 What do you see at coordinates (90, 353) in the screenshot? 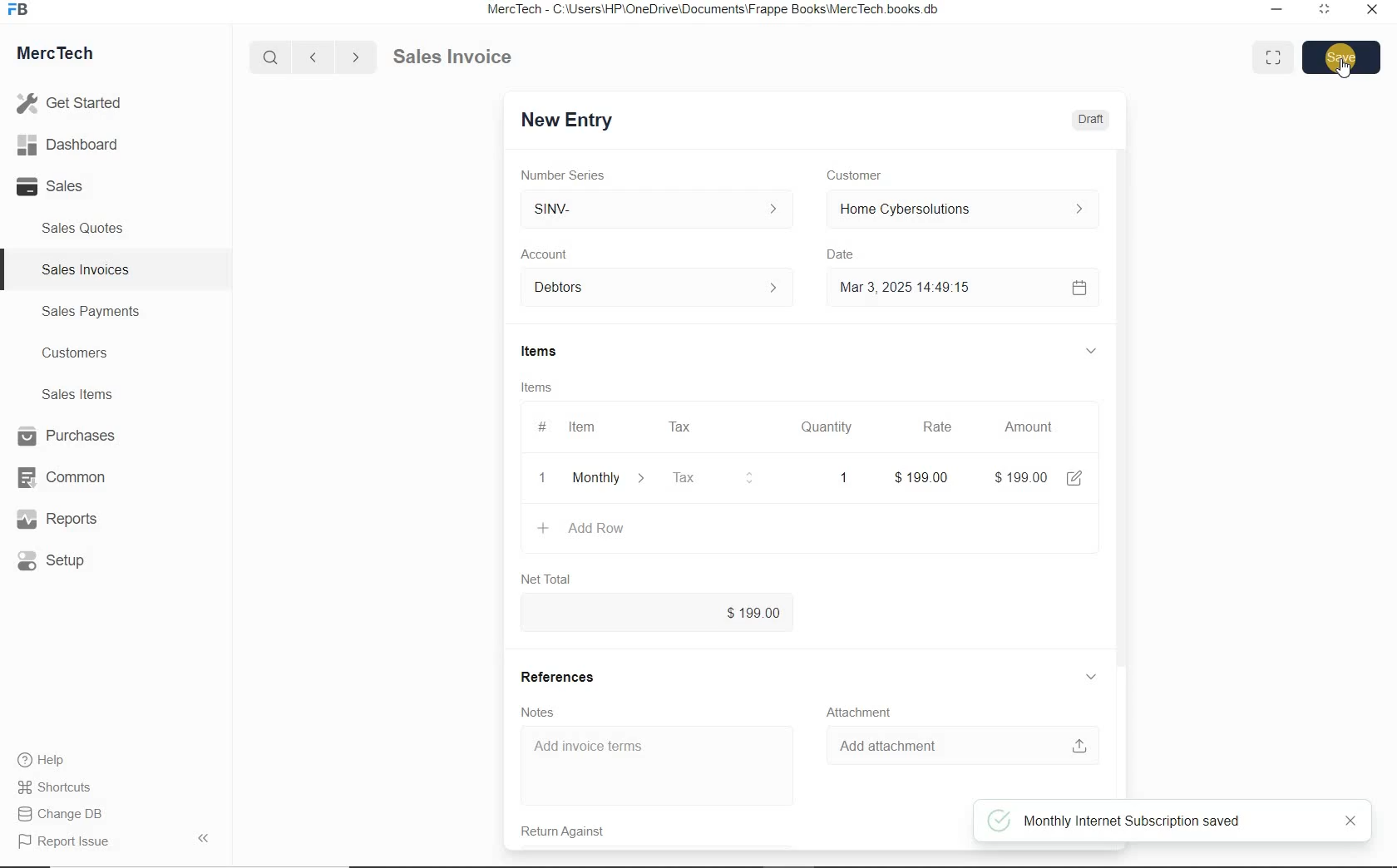
I see `Customers` at bounding box center [90, 353].